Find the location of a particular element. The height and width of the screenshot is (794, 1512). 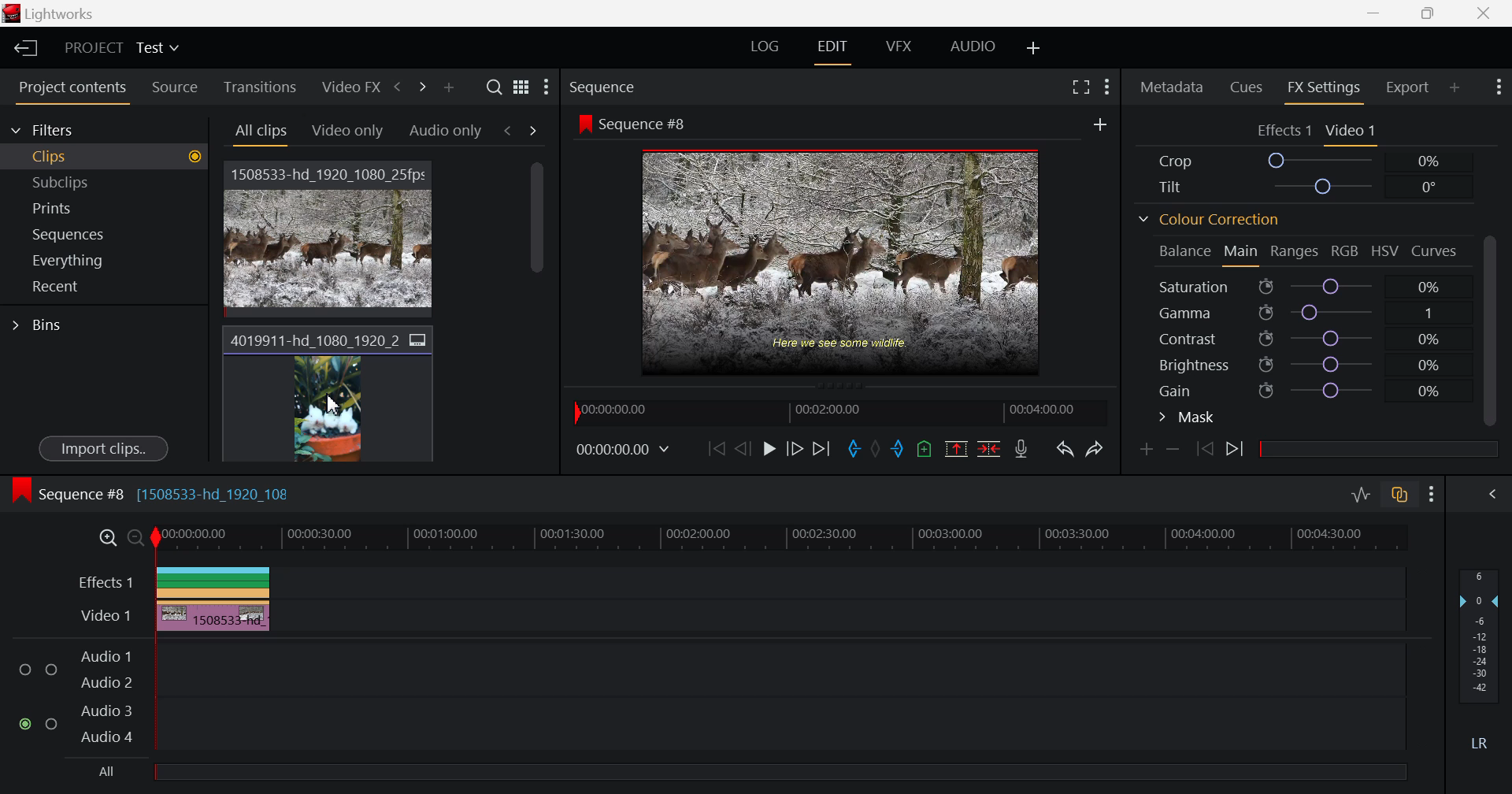

Source is located at coordinates (174, 86).